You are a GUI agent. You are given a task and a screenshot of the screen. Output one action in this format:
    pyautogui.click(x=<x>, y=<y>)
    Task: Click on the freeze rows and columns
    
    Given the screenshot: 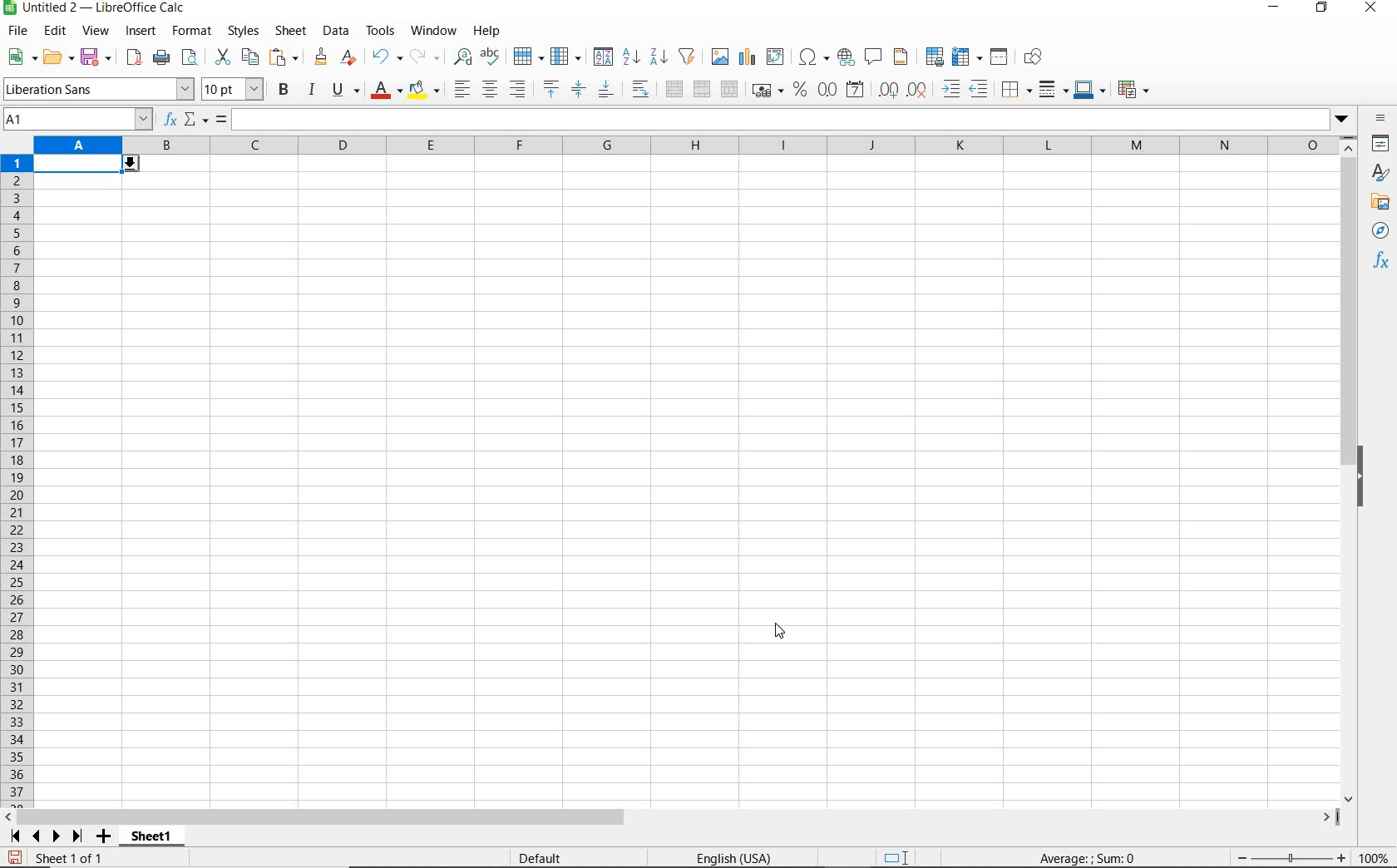 What is the action you would take?
    pyautogui.click(x=968, y=57)
    